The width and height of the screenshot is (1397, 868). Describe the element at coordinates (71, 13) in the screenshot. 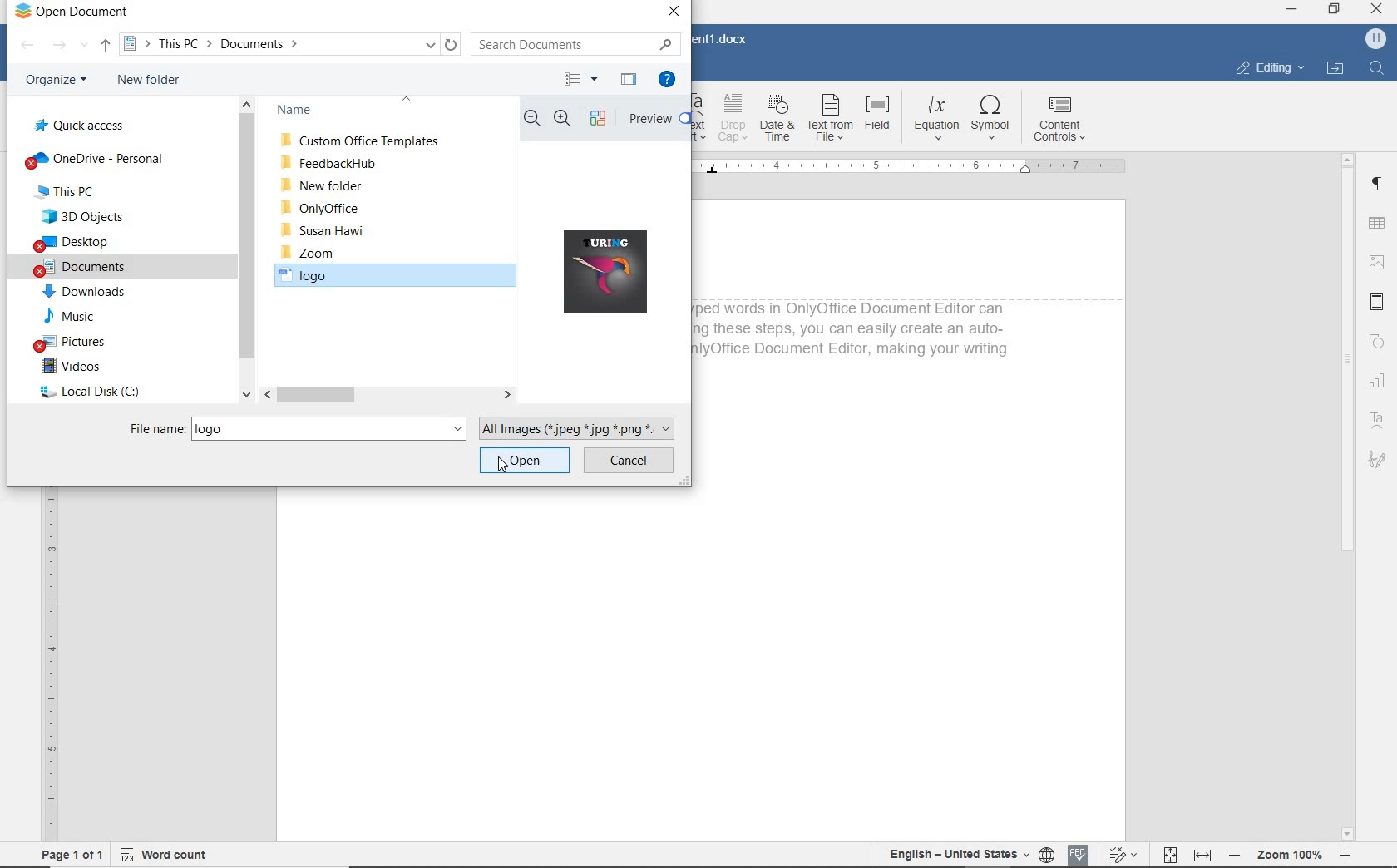

I see `OPEN DOCUMENT` at that location.